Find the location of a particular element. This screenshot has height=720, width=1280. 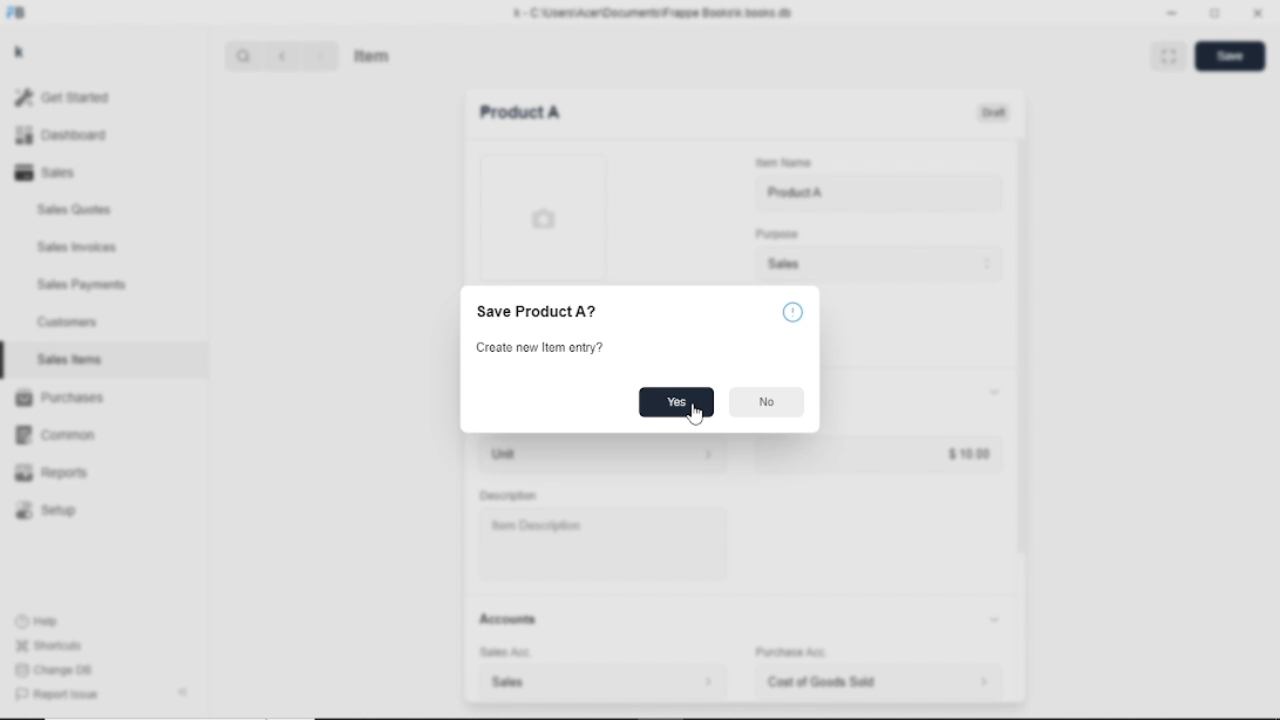

Sales Payments is located at coordinates (83, 284).